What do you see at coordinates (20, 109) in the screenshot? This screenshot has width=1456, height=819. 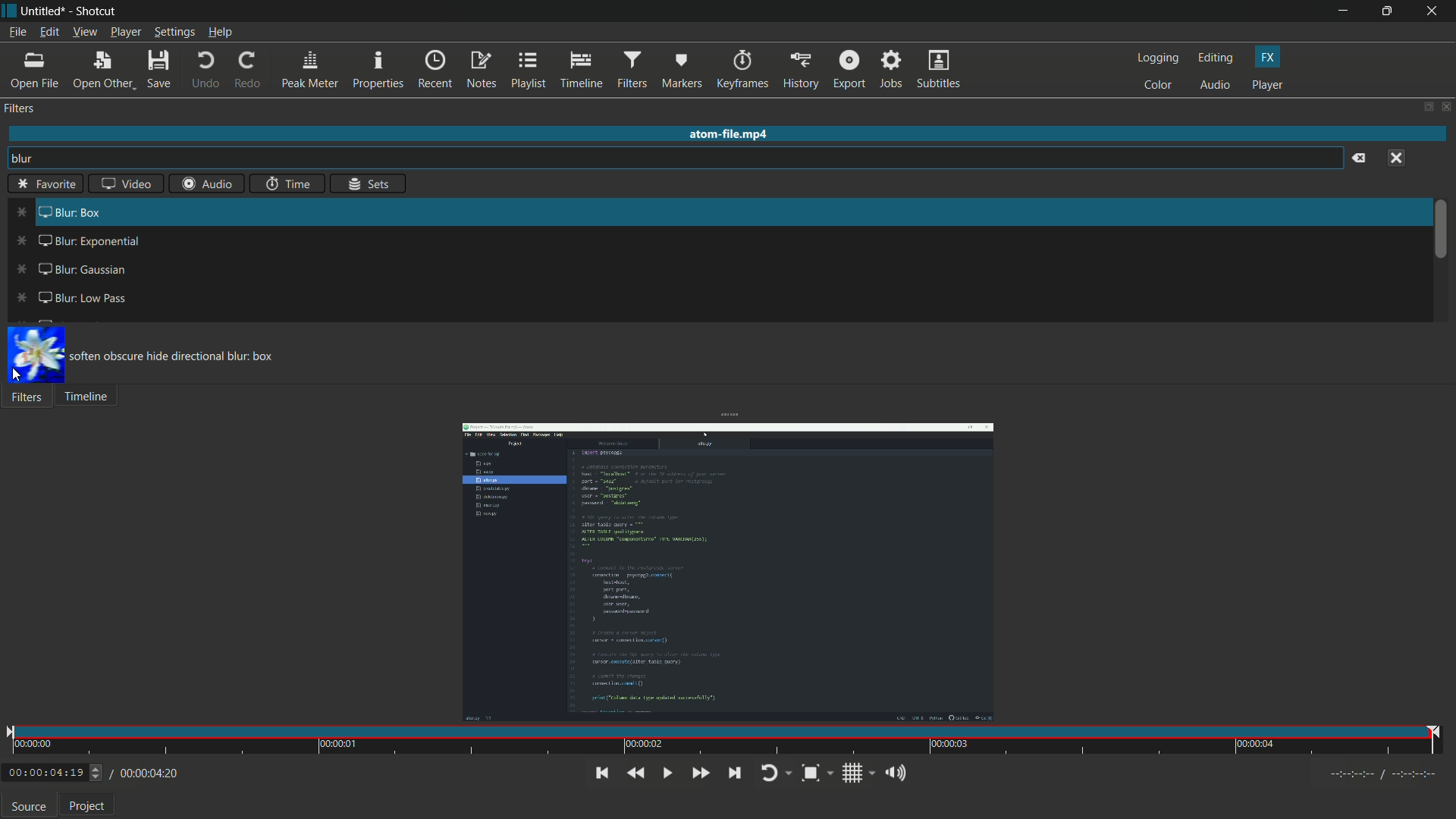 I see `filters` at bounding box center [20, 109].